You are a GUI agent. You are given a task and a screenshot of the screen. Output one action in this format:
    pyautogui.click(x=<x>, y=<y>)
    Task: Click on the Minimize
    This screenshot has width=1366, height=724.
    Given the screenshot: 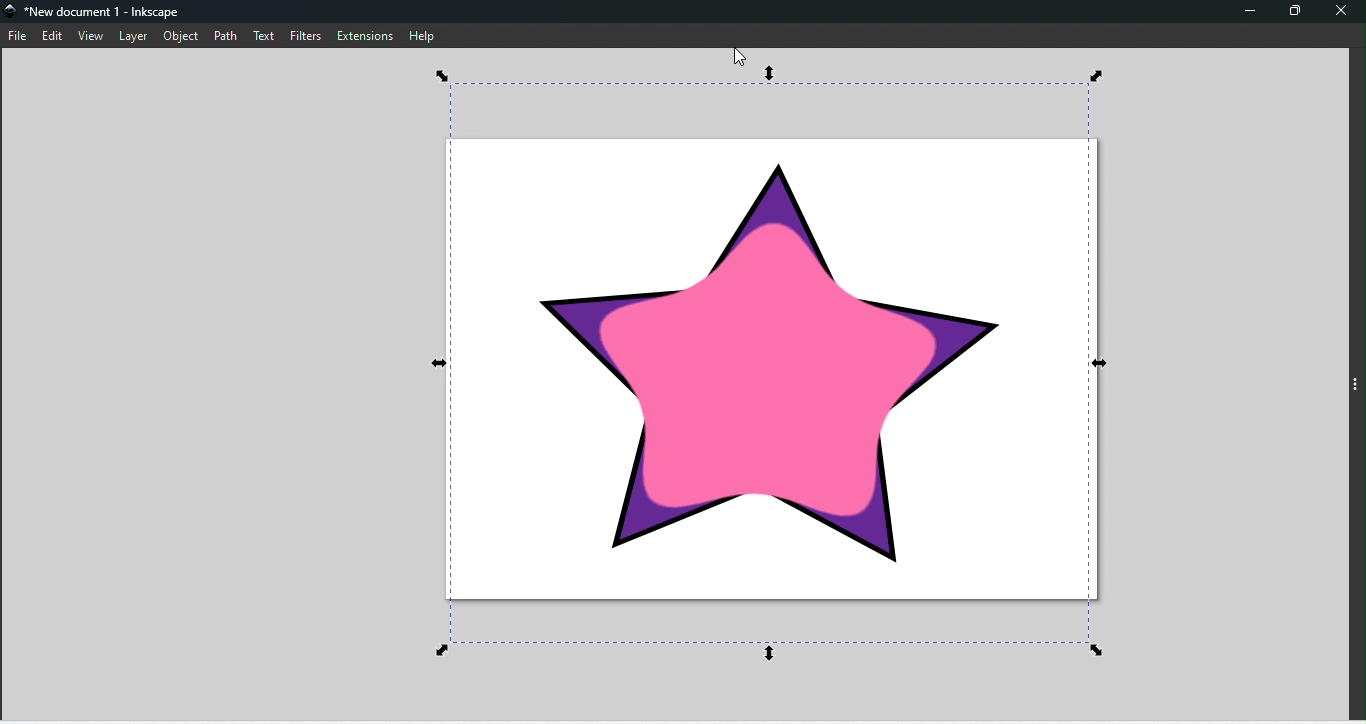 What is the action you would take?
    pyautogui.click(x=1250, y=9)
    